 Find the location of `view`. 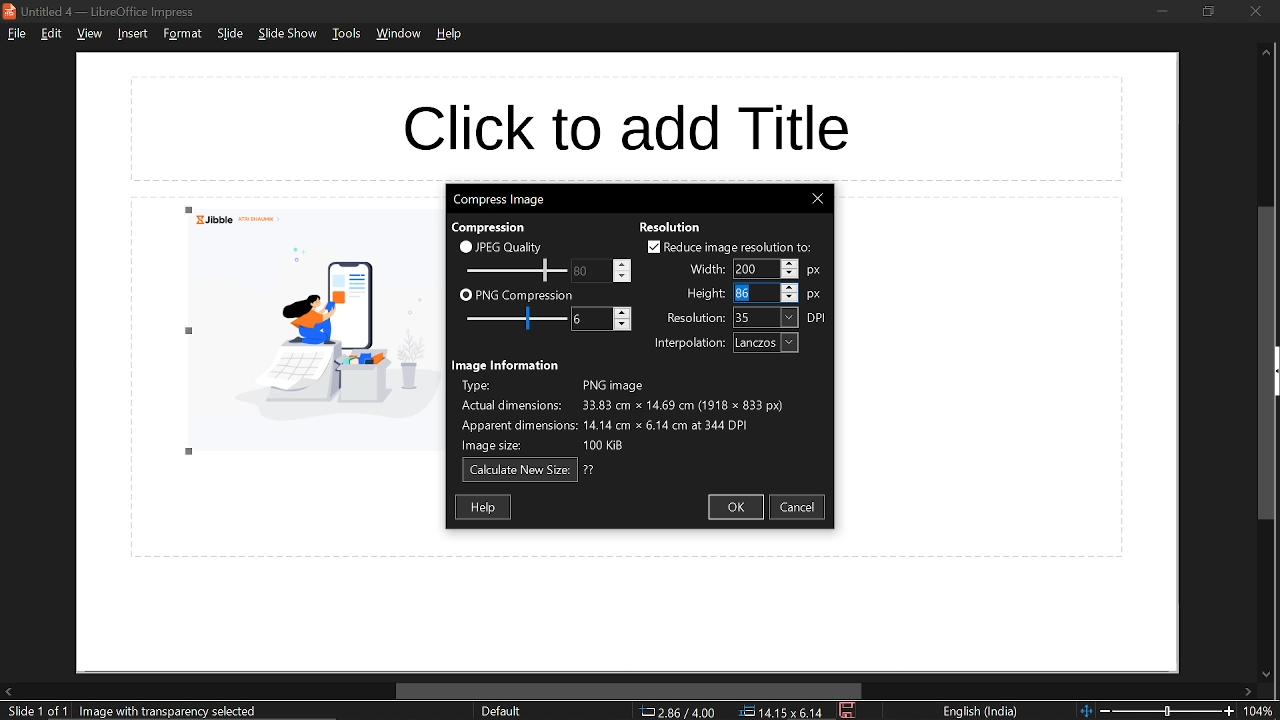

view is located at coordinates (89, 35).